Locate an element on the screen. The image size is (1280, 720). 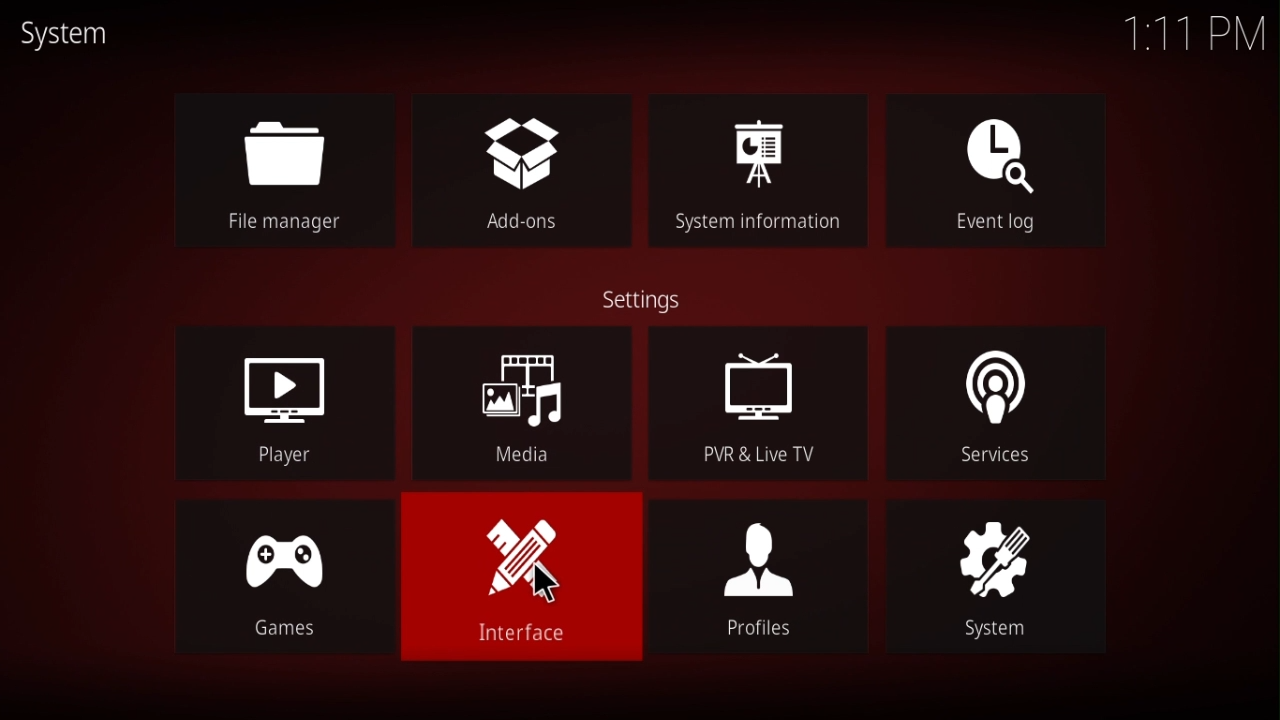
system is located at coordinates (69, 34).